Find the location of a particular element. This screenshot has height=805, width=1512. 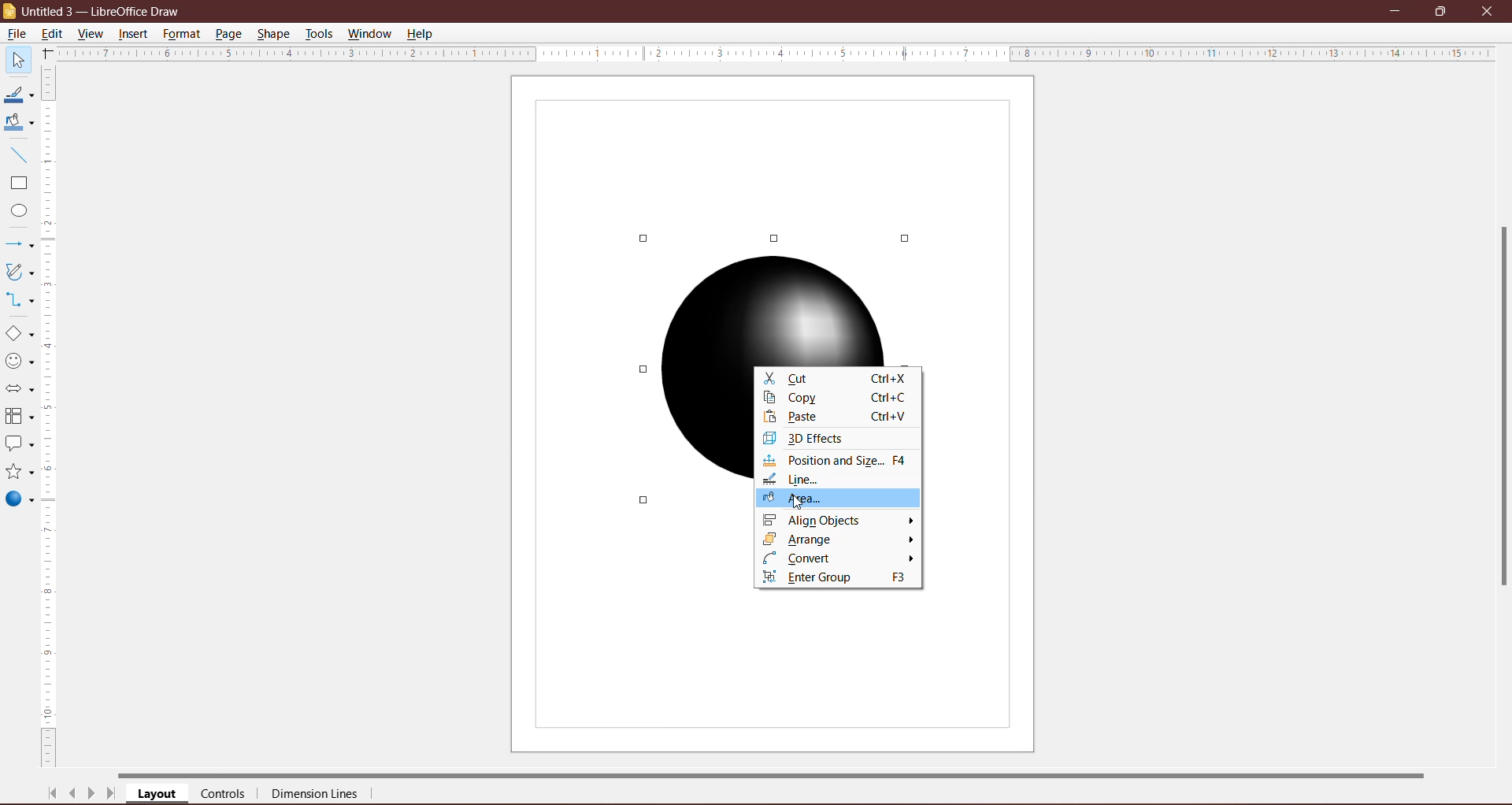

View is located at coordinates (91, 33).